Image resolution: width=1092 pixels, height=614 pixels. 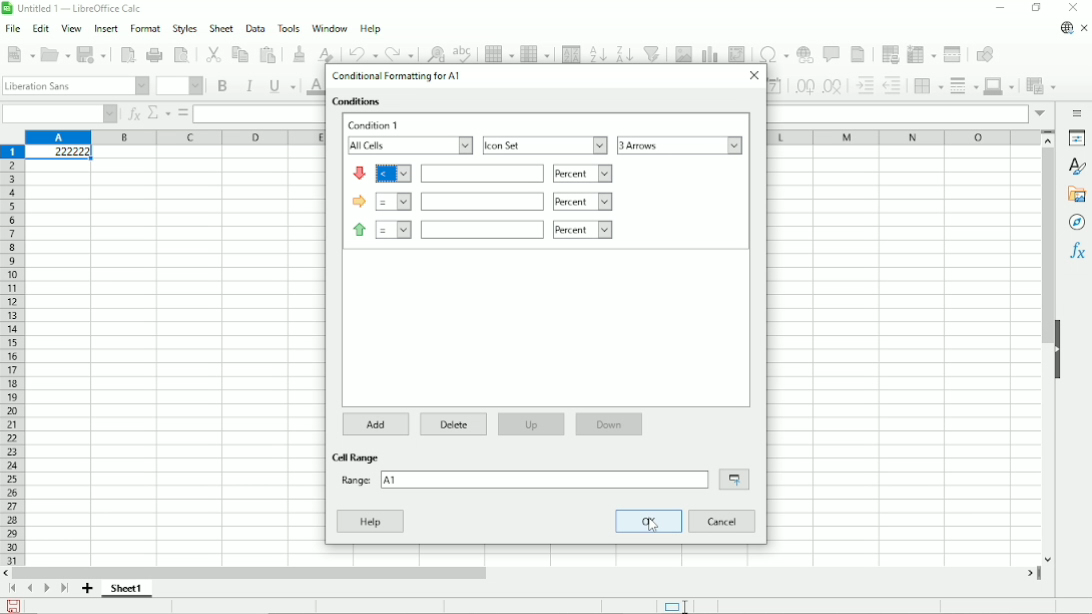 What do you see at coordinates (75, 10) in the screenshot?
I see `Title` at bounding box center [75, 10].